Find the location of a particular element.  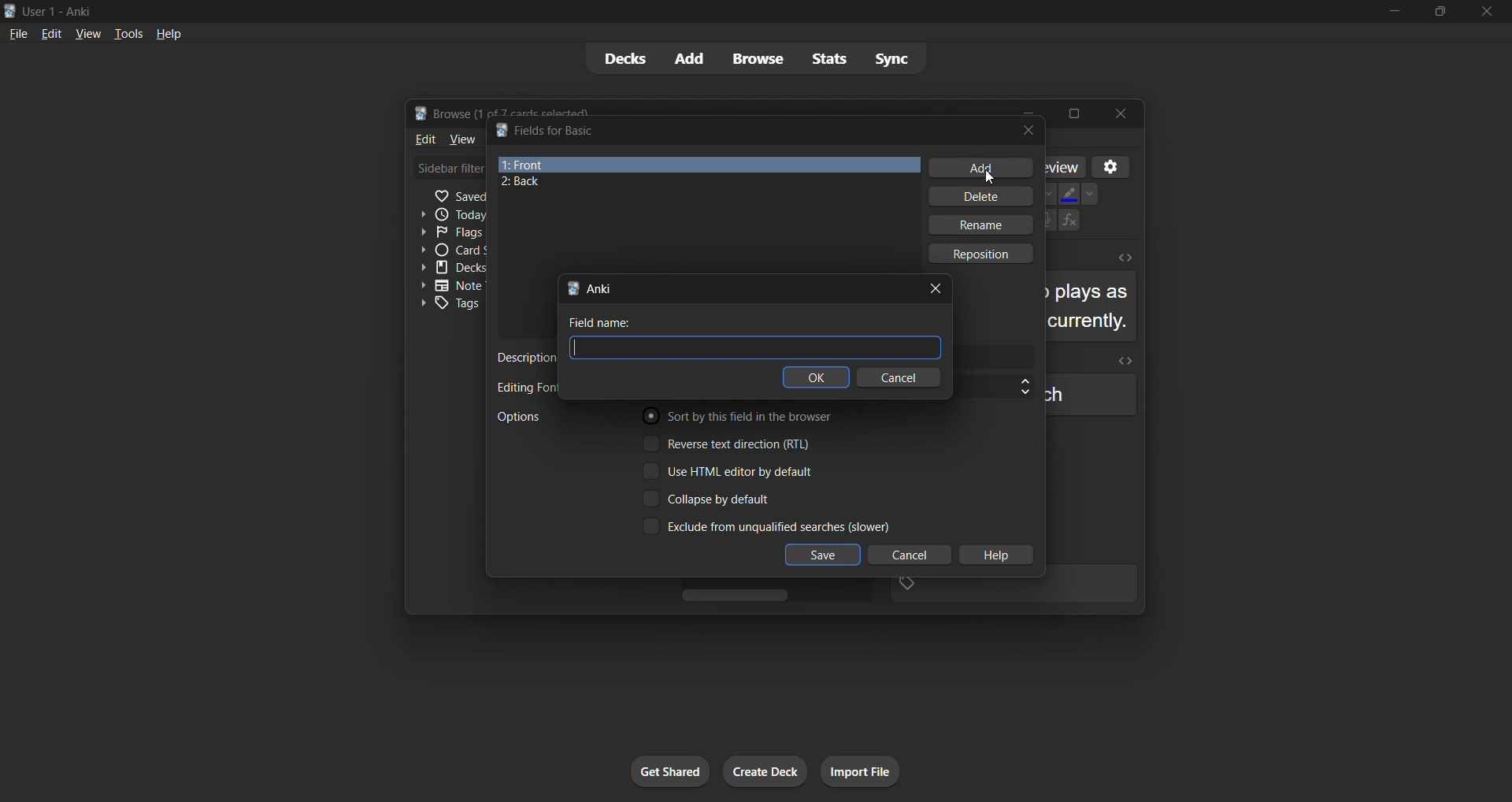

decks is located at coordinates (624, 58).